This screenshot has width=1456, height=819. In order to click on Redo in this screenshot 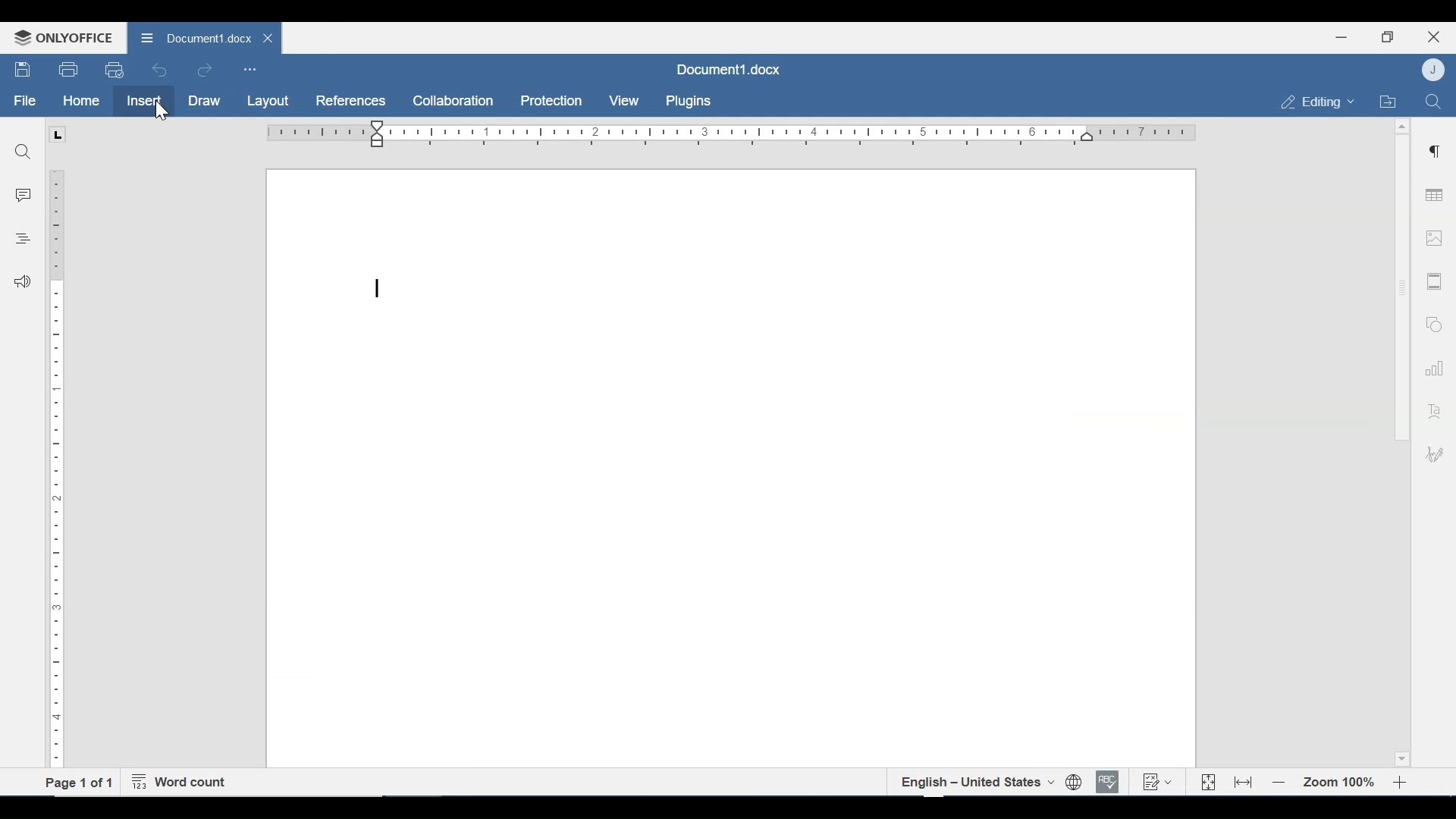, I will do `click(204, 71)`.